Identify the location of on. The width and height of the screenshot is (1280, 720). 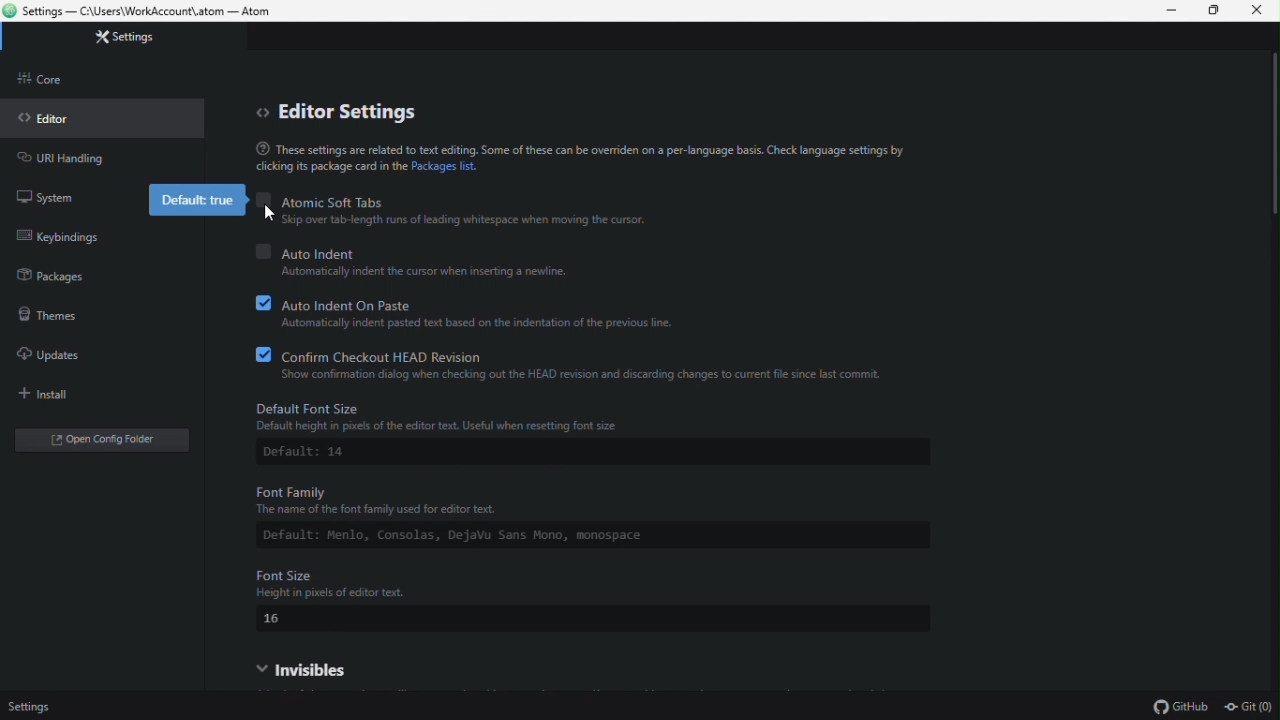
(264, 353).